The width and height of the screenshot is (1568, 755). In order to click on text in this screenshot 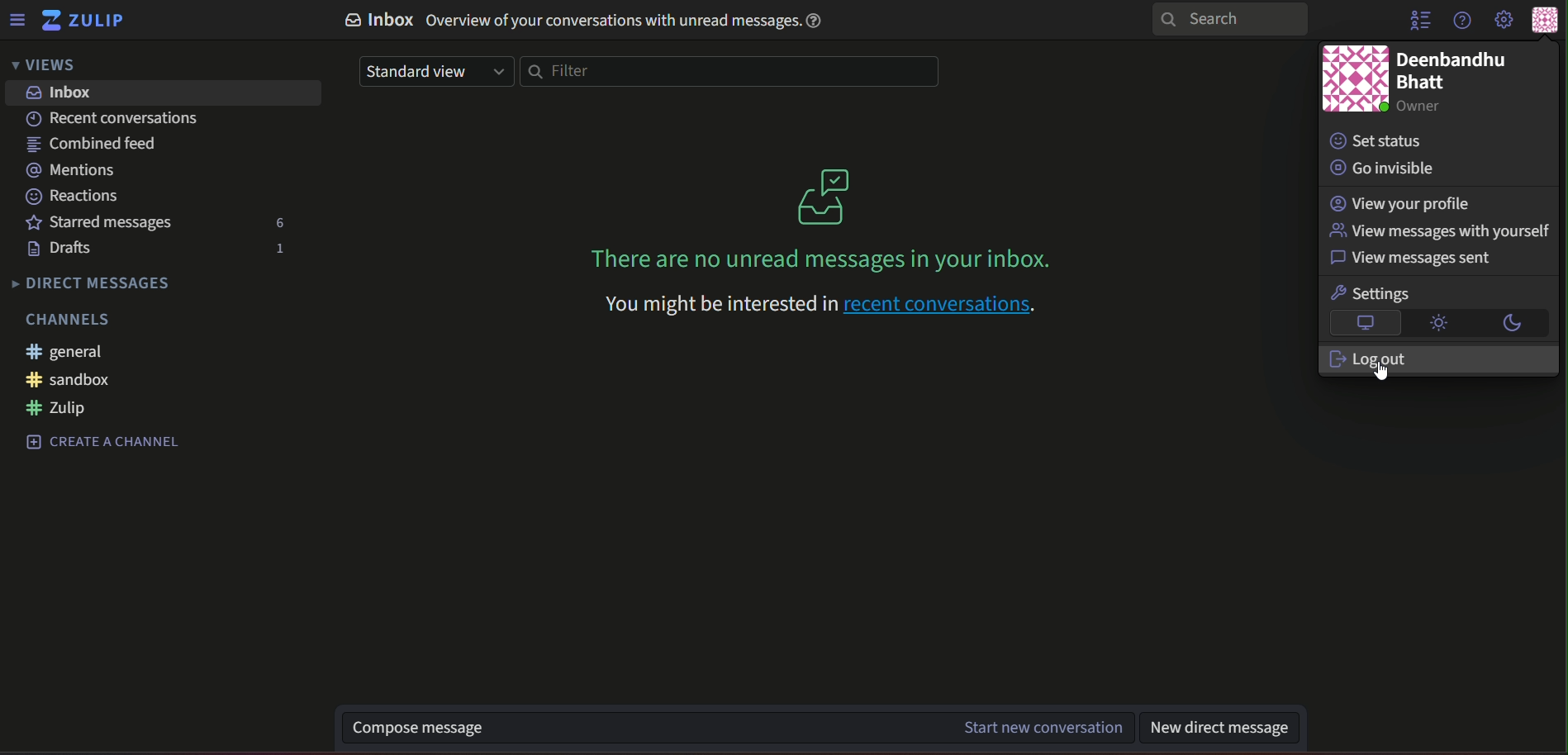, I will do `click(1383, 169)`.